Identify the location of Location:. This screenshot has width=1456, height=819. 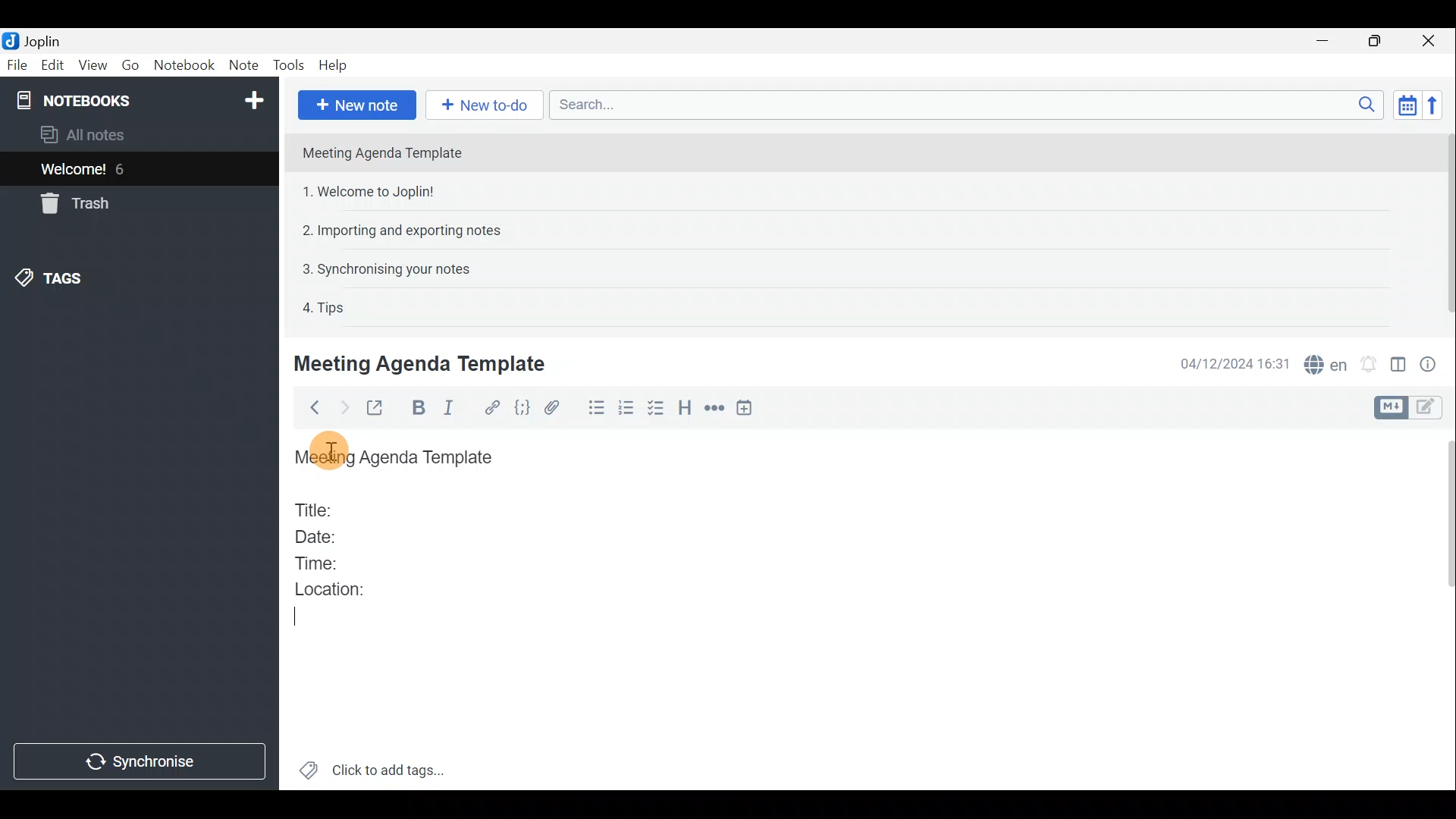
(335, 590).